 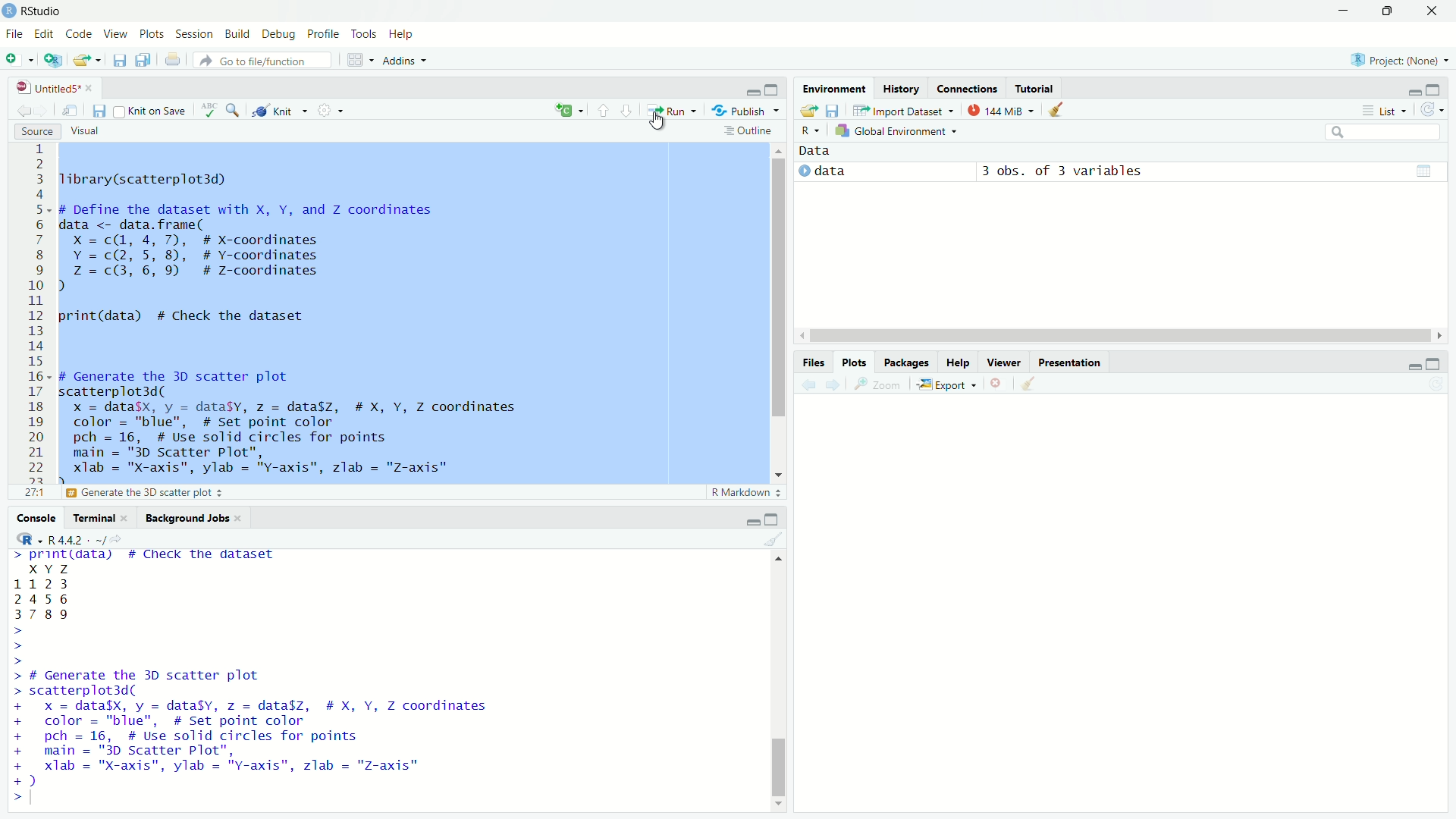 What do you see at coordinates (778, 538) in the screenshot?
I see `clear console` at bounding box center [778, 538].